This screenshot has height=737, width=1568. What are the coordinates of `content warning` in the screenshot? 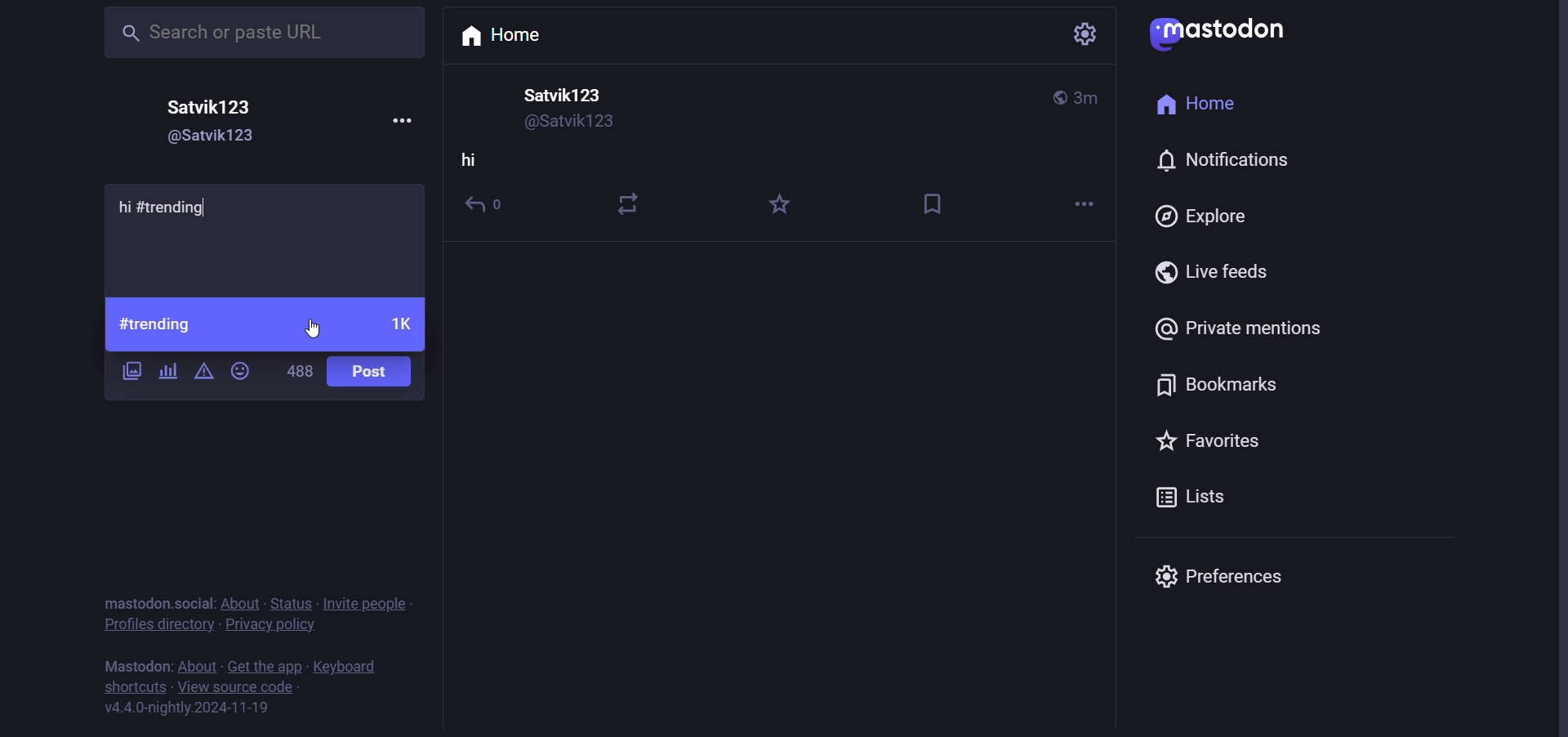 It's located at (202, 373).